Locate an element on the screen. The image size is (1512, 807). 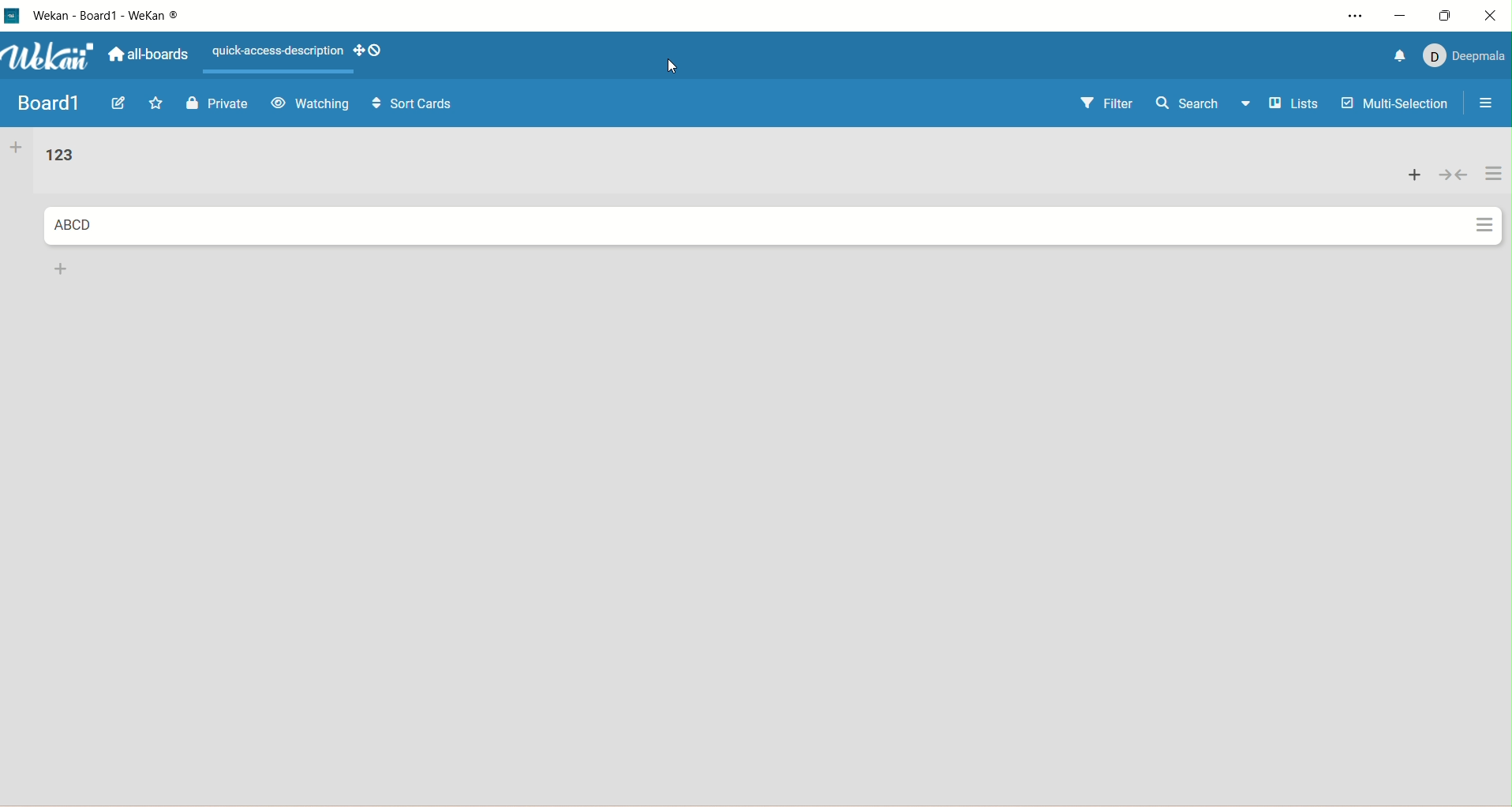
collapse is located at coordinates (1452, 171).